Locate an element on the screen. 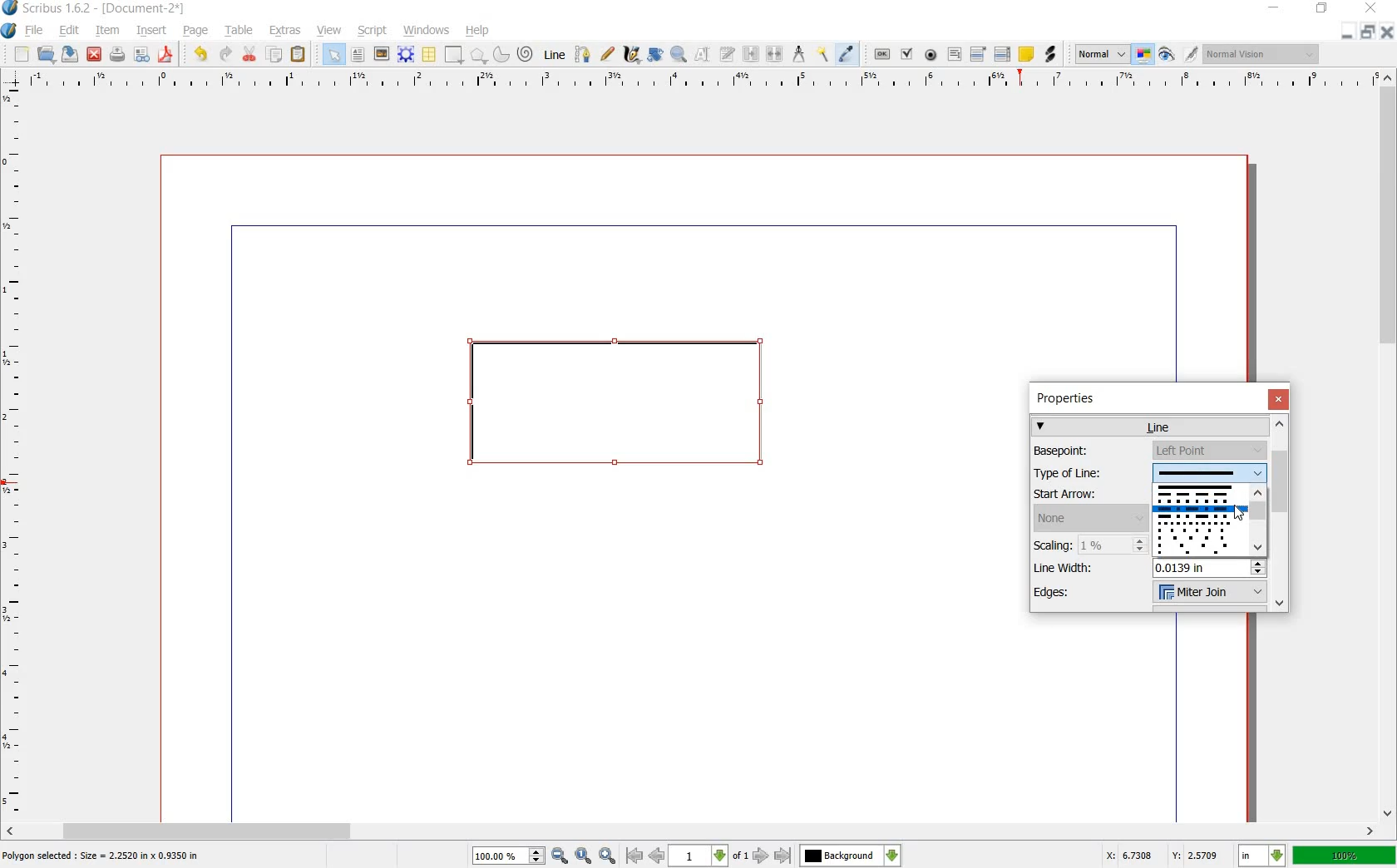 This screenshot has height=868, width=1397. SAVE AS PDF is located at coordinates (168, 55).